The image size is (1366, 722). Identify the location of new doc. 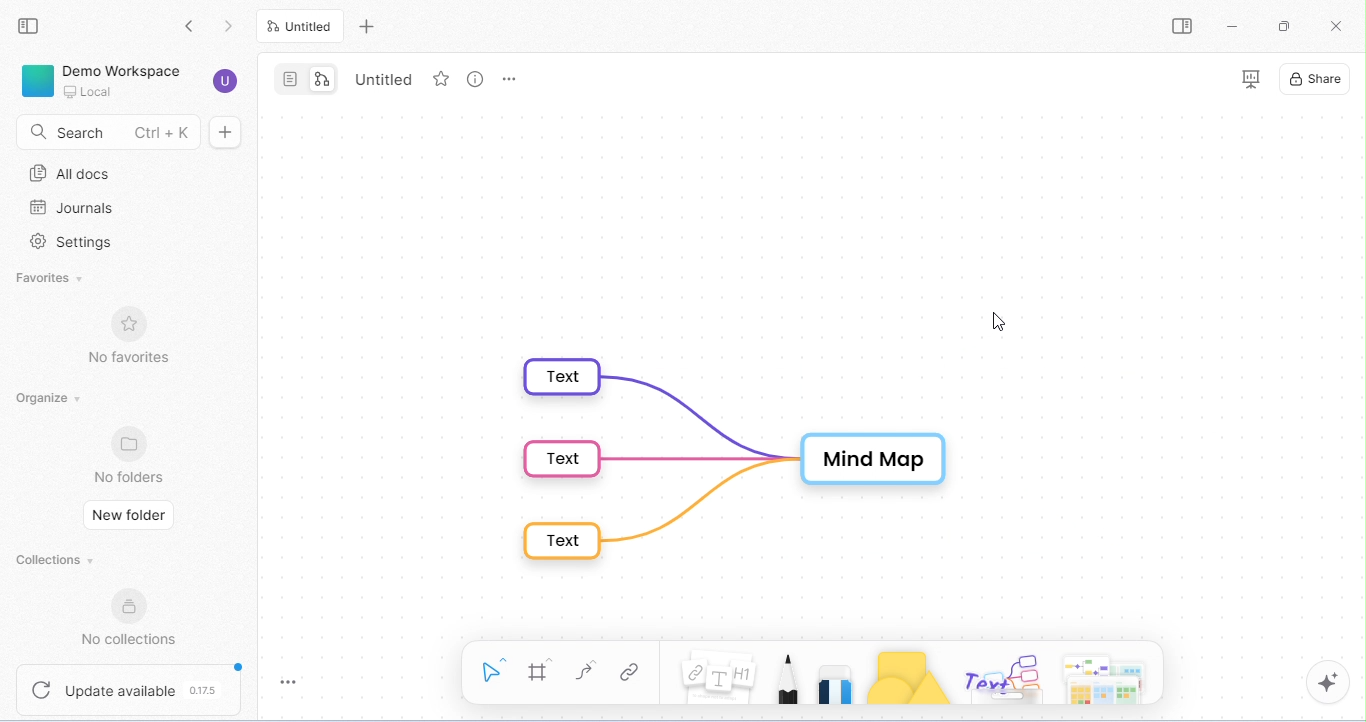
(234, 132).